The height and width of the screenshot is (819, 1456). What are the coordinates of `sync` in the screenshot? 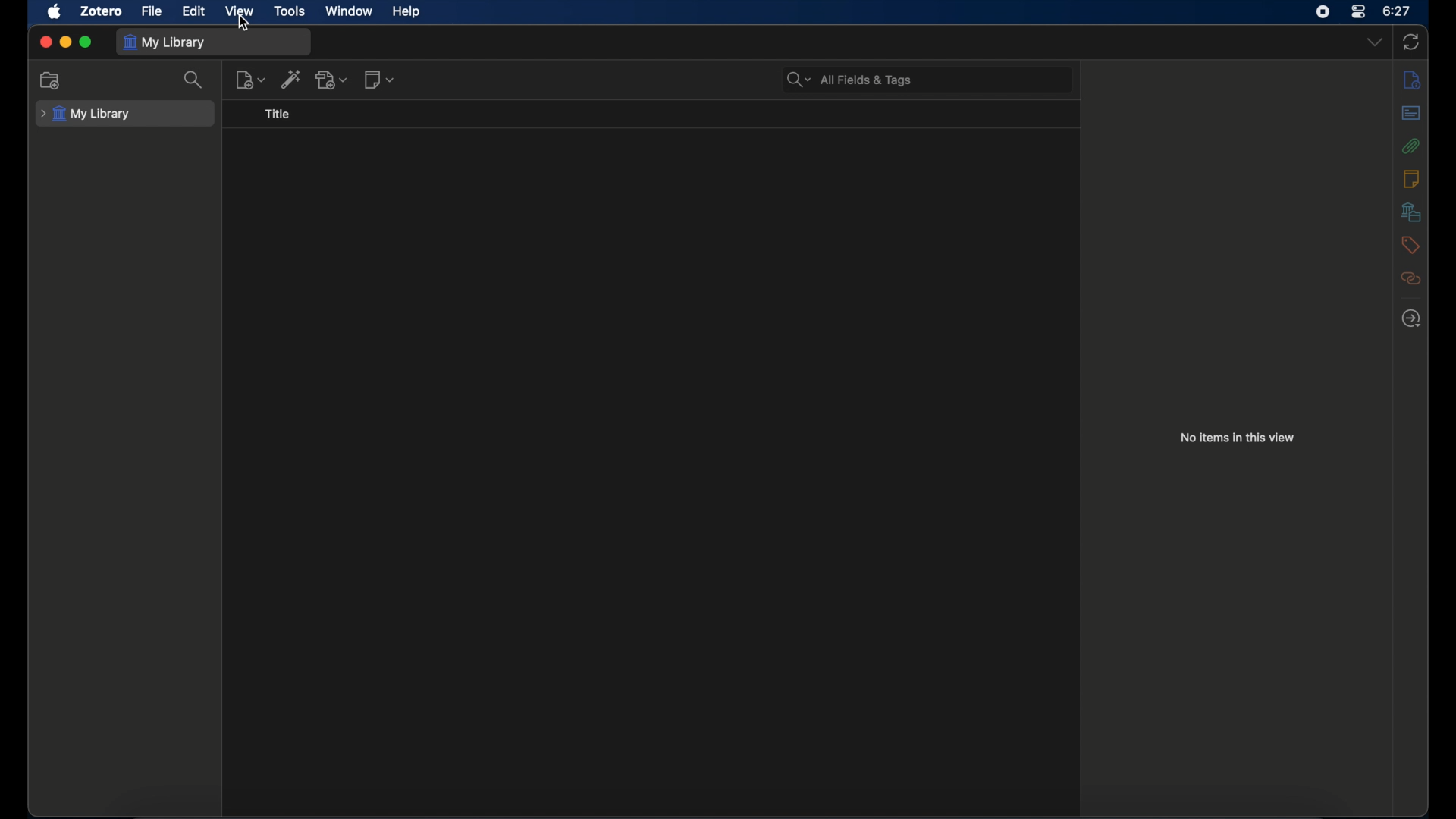 It's located at (1411, 42).